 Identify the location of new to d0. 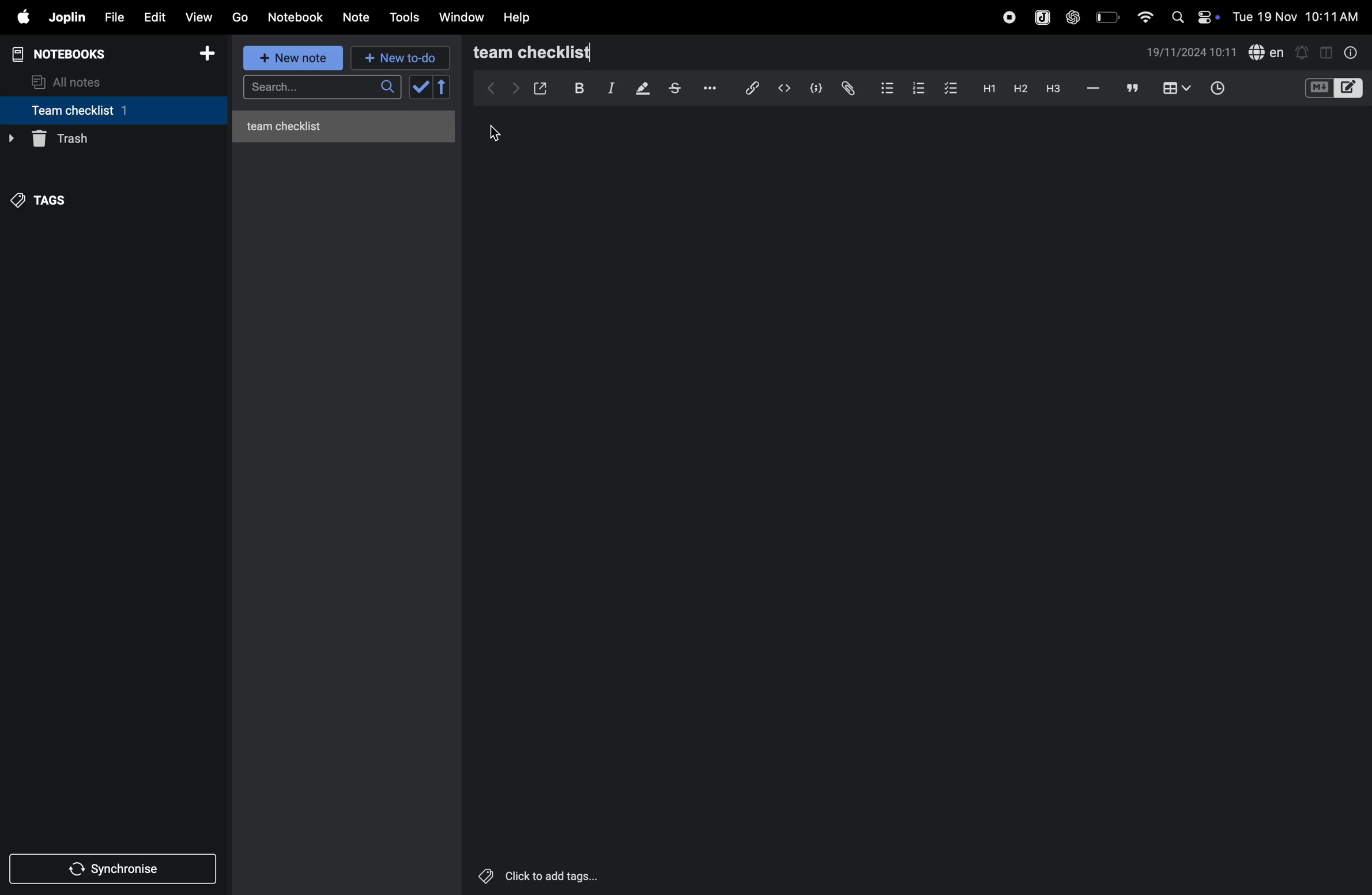
(398, 58).